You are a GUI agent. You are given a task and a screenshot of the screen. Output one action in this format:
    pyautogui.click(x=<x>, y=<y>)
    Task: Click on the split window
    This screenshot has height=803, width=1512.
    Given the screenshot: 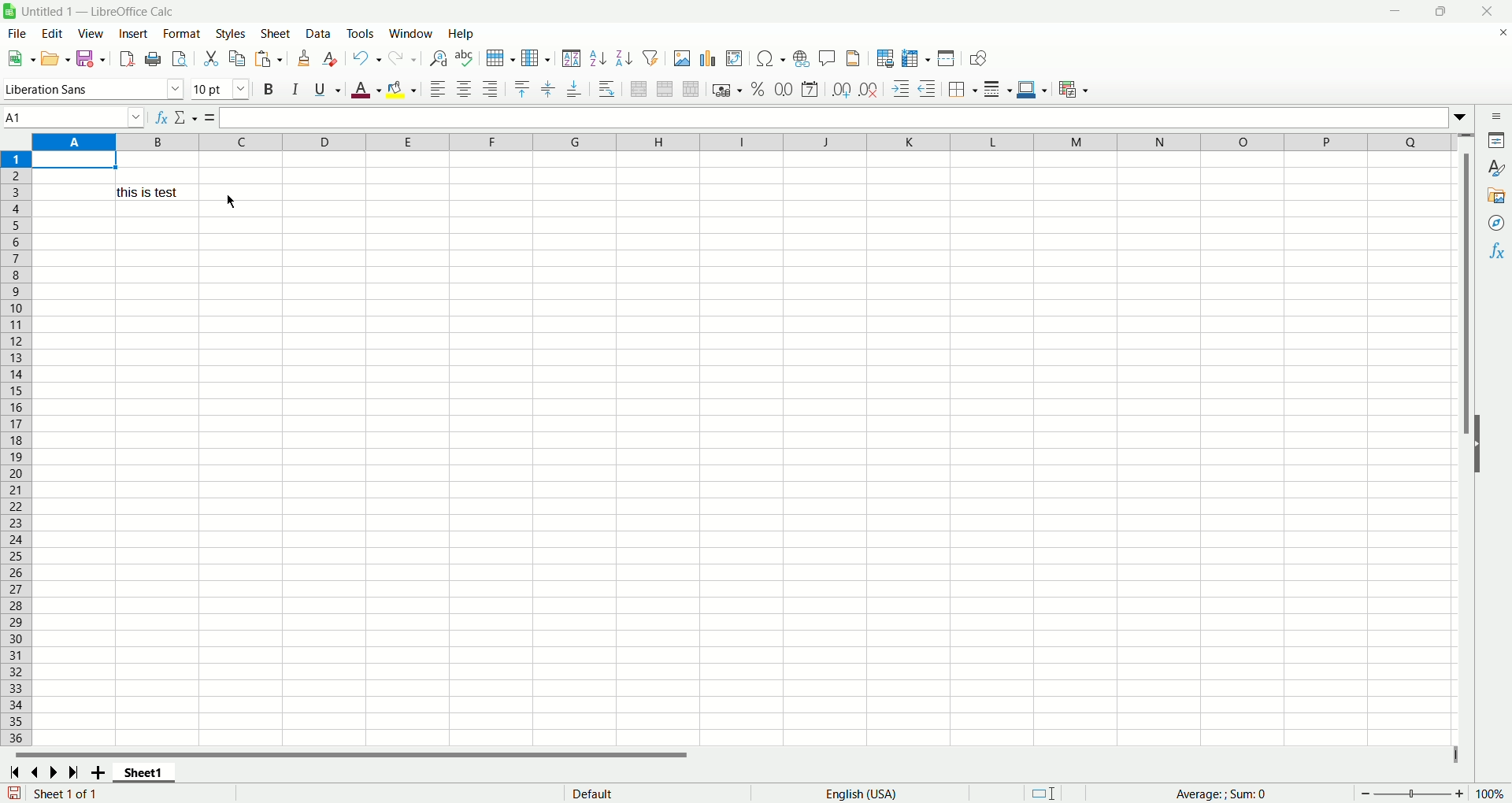 What is the action you would take?
    pyautogui.click(x=945, y=58)
    